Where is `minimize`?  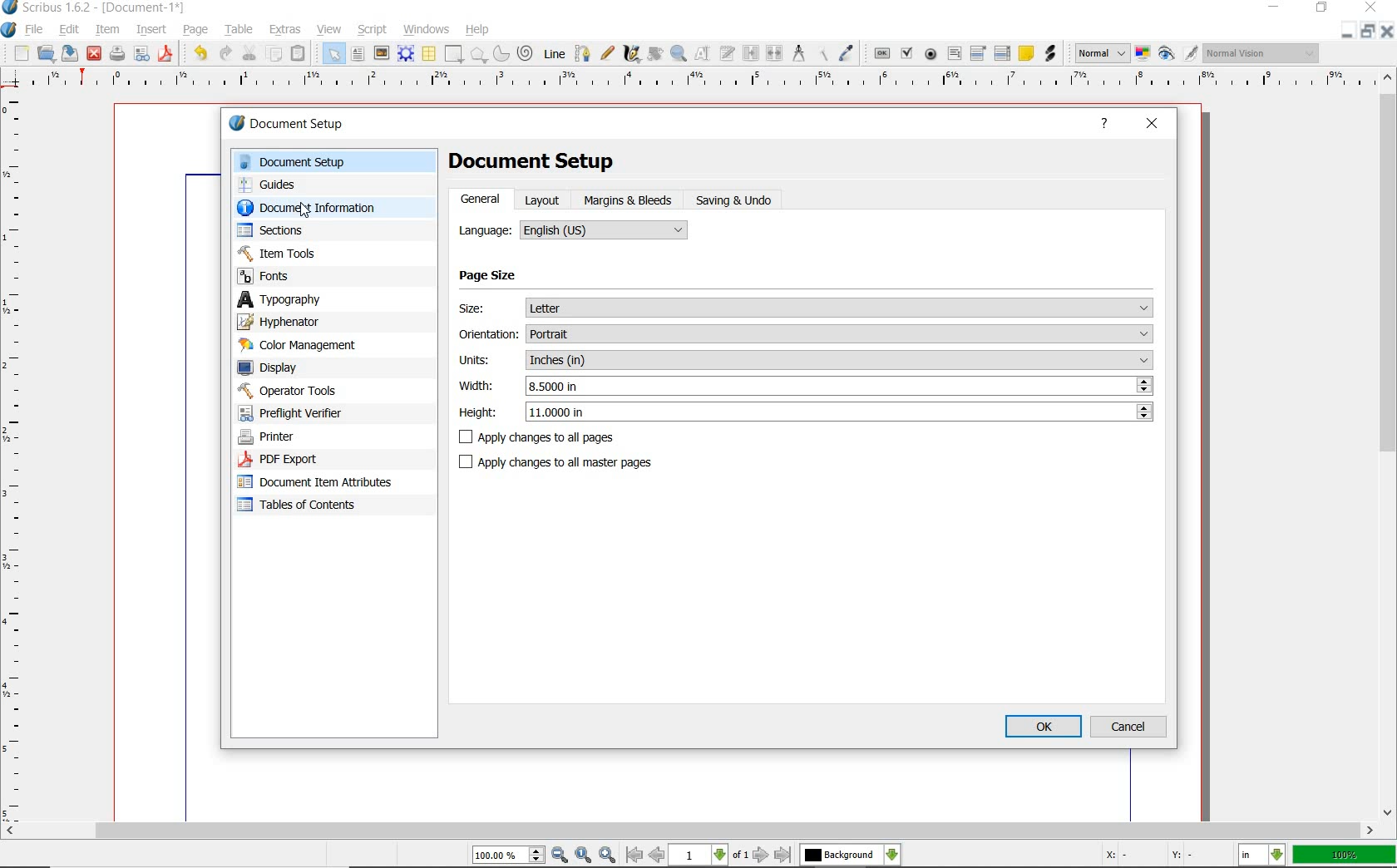 minimize is located at coordinates (1272, 7).